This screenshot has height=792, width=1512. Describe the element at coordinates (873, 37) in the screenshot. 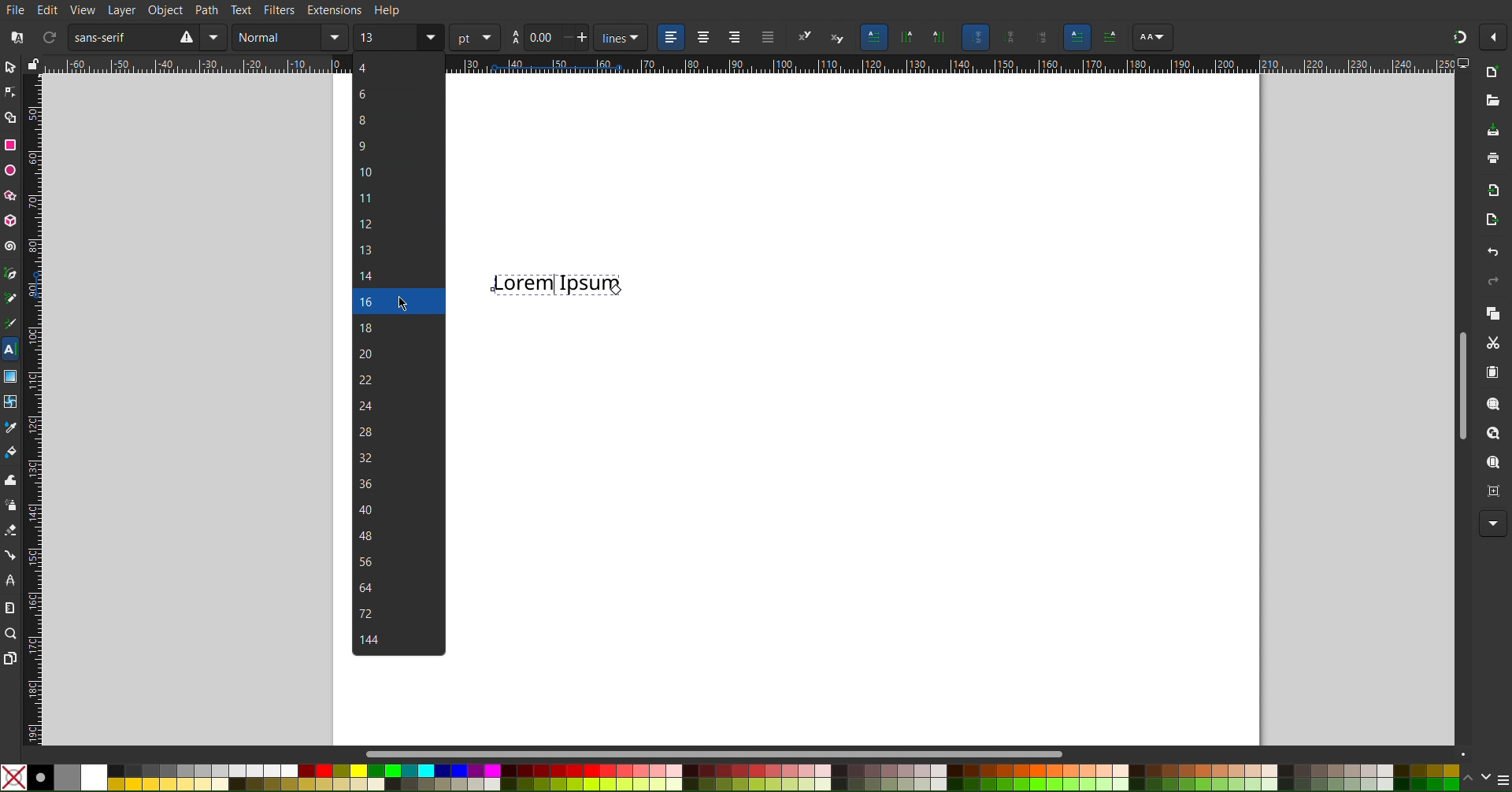

I see `Units` at that location.